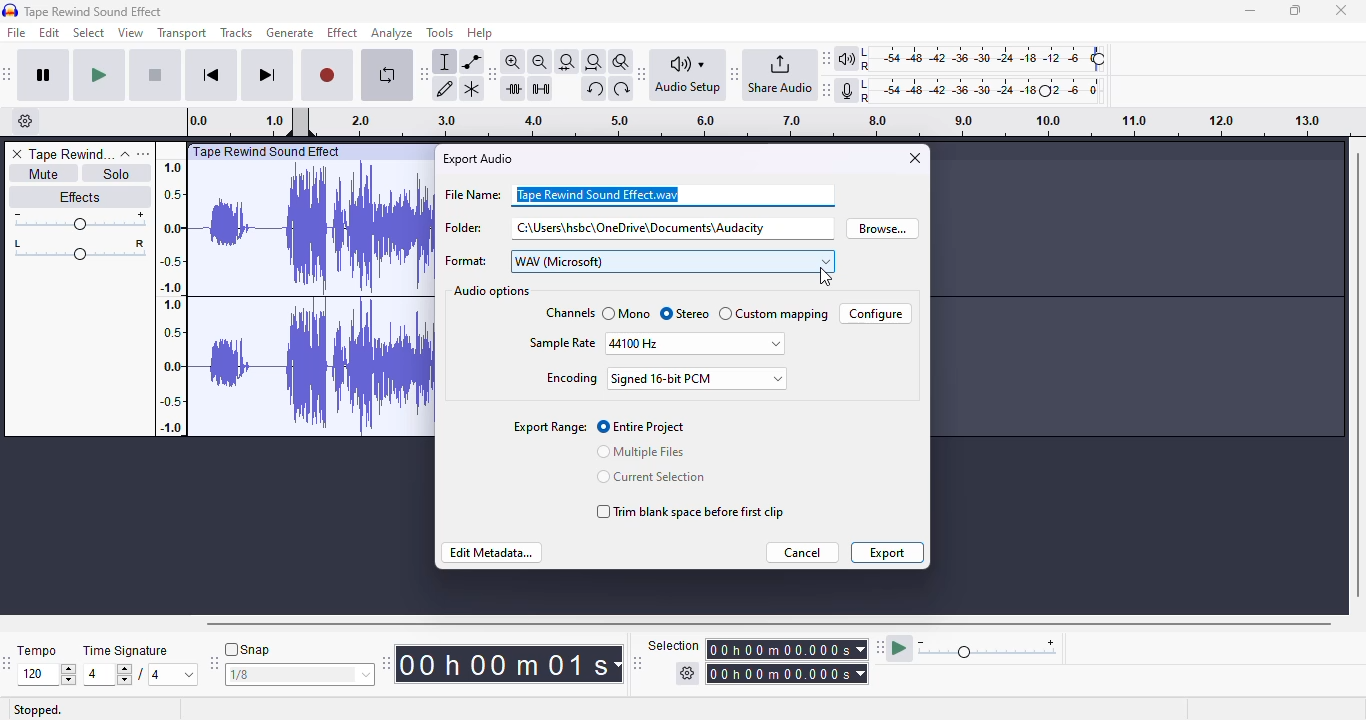  I want to click on folder, so click(639, 228).